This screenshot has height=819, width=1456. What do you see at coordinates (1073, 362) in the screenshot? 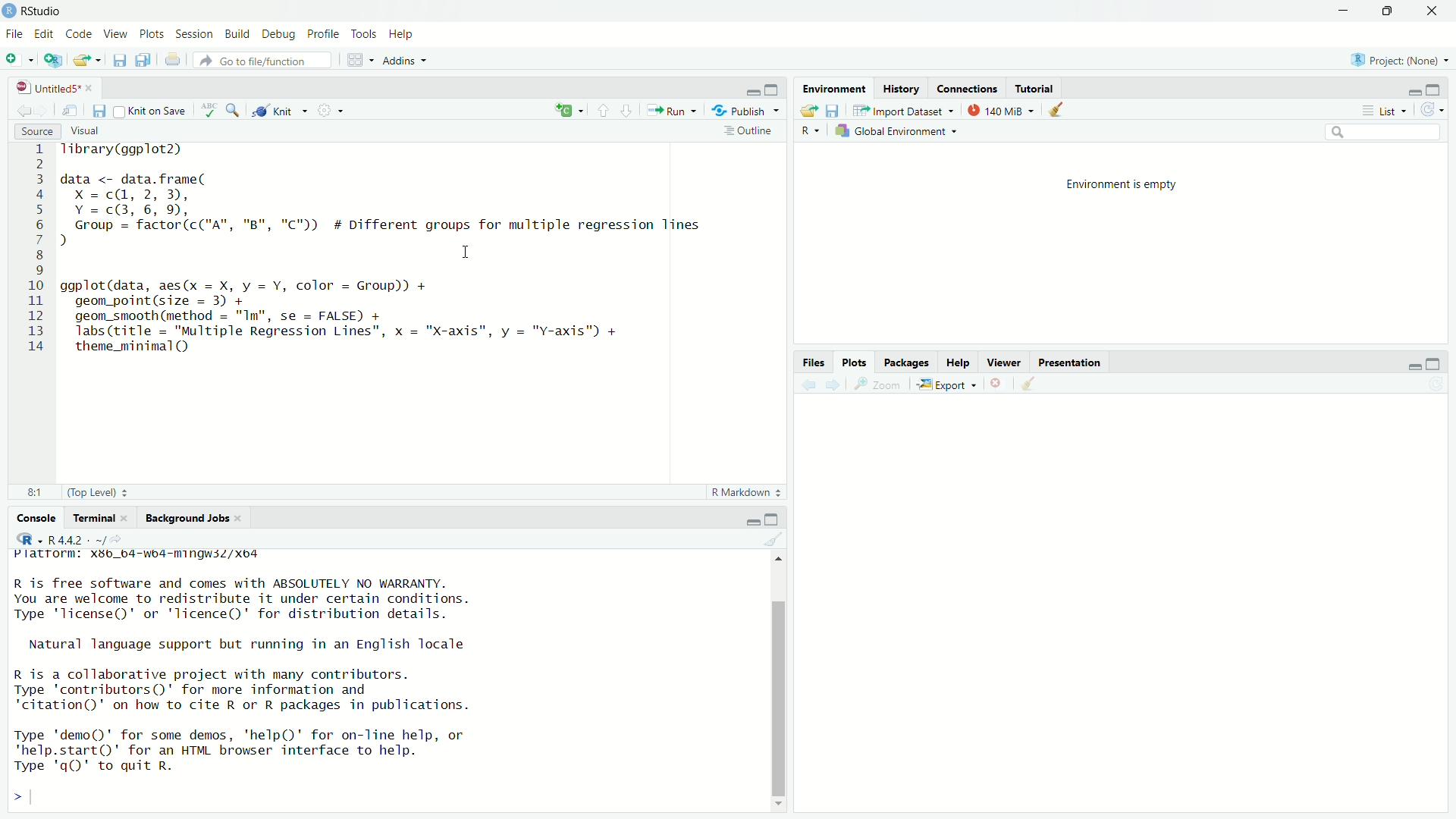
I see `Presentation` at bounding box center [1073, 362].